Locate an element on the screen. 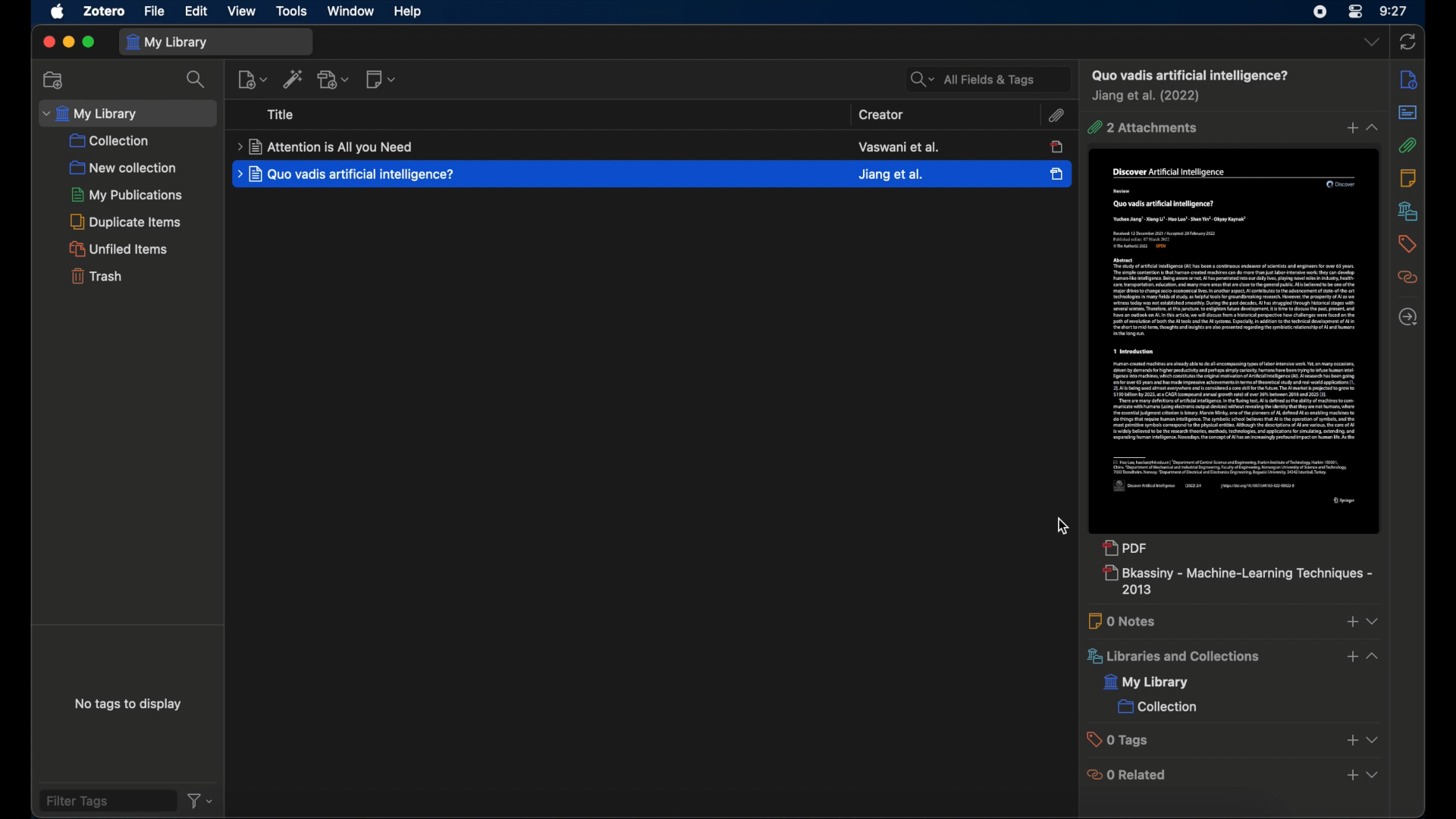 Image resolution: width=1456 pixels, height=819 pixels. tags is located at coordinates (1406, 243).